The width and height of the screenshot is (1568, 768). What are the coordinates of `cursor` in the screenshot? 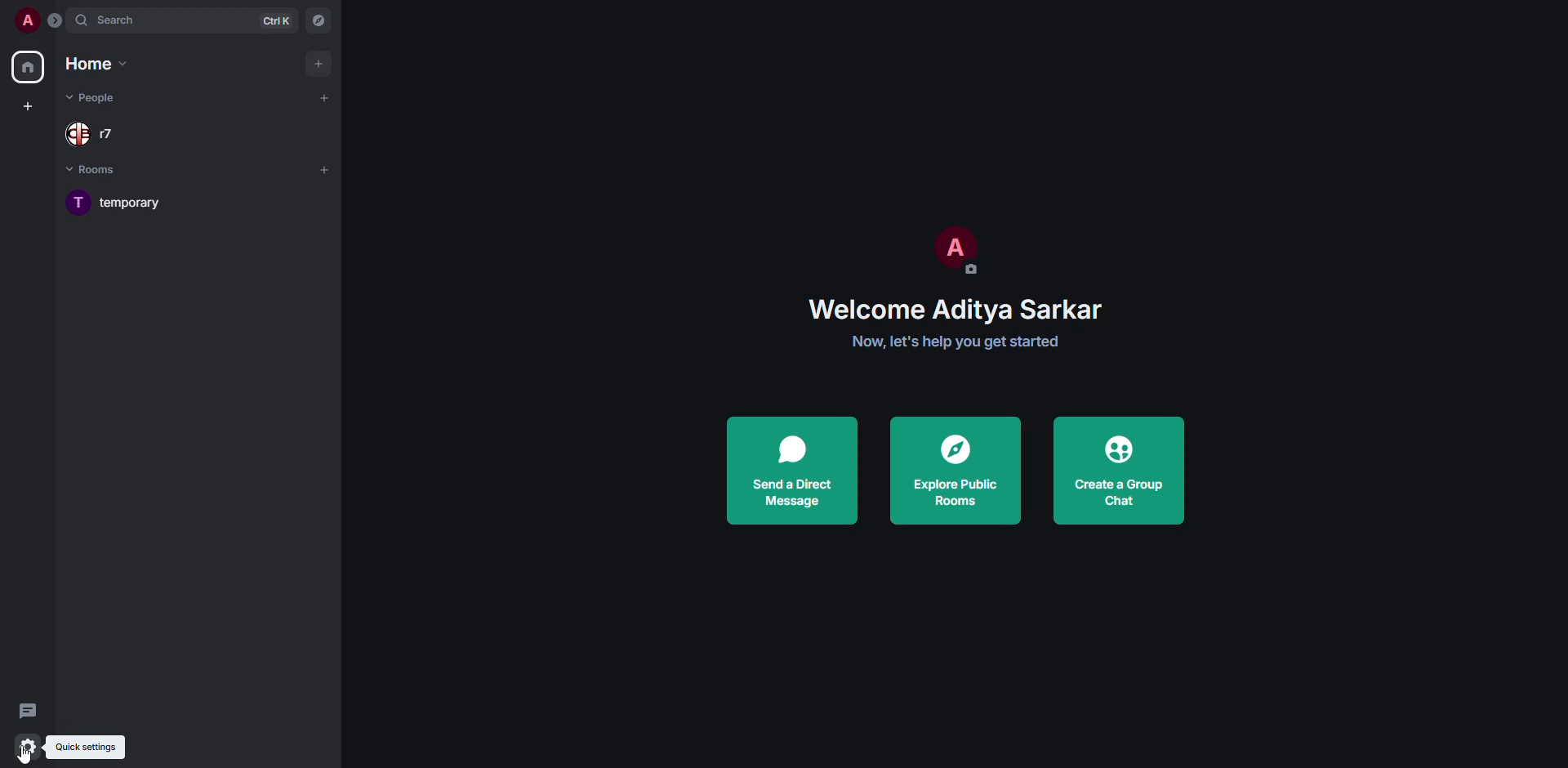 It's located at (31, 754).